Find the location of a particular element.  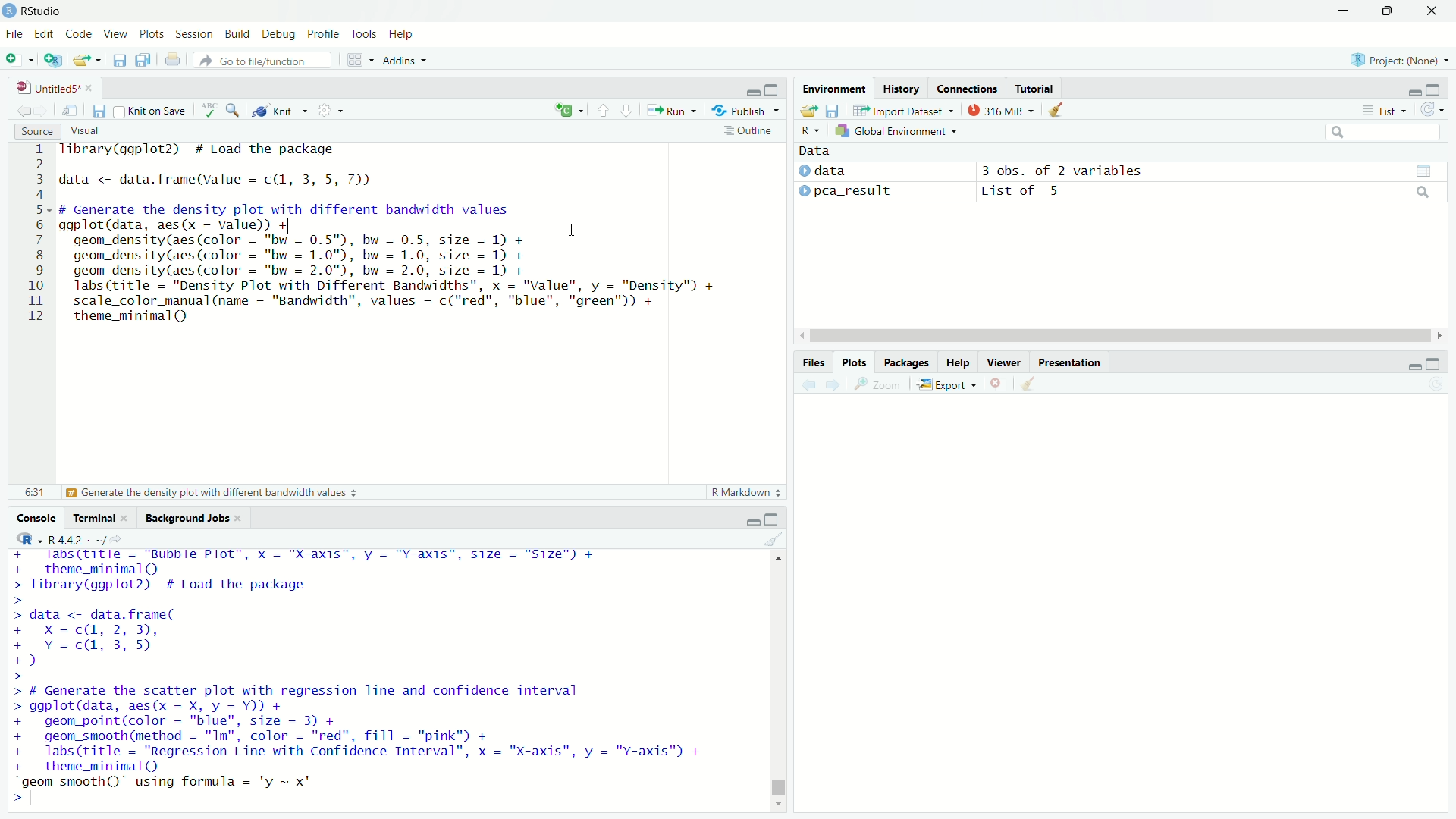

Data is located at coordinates (815, 151).